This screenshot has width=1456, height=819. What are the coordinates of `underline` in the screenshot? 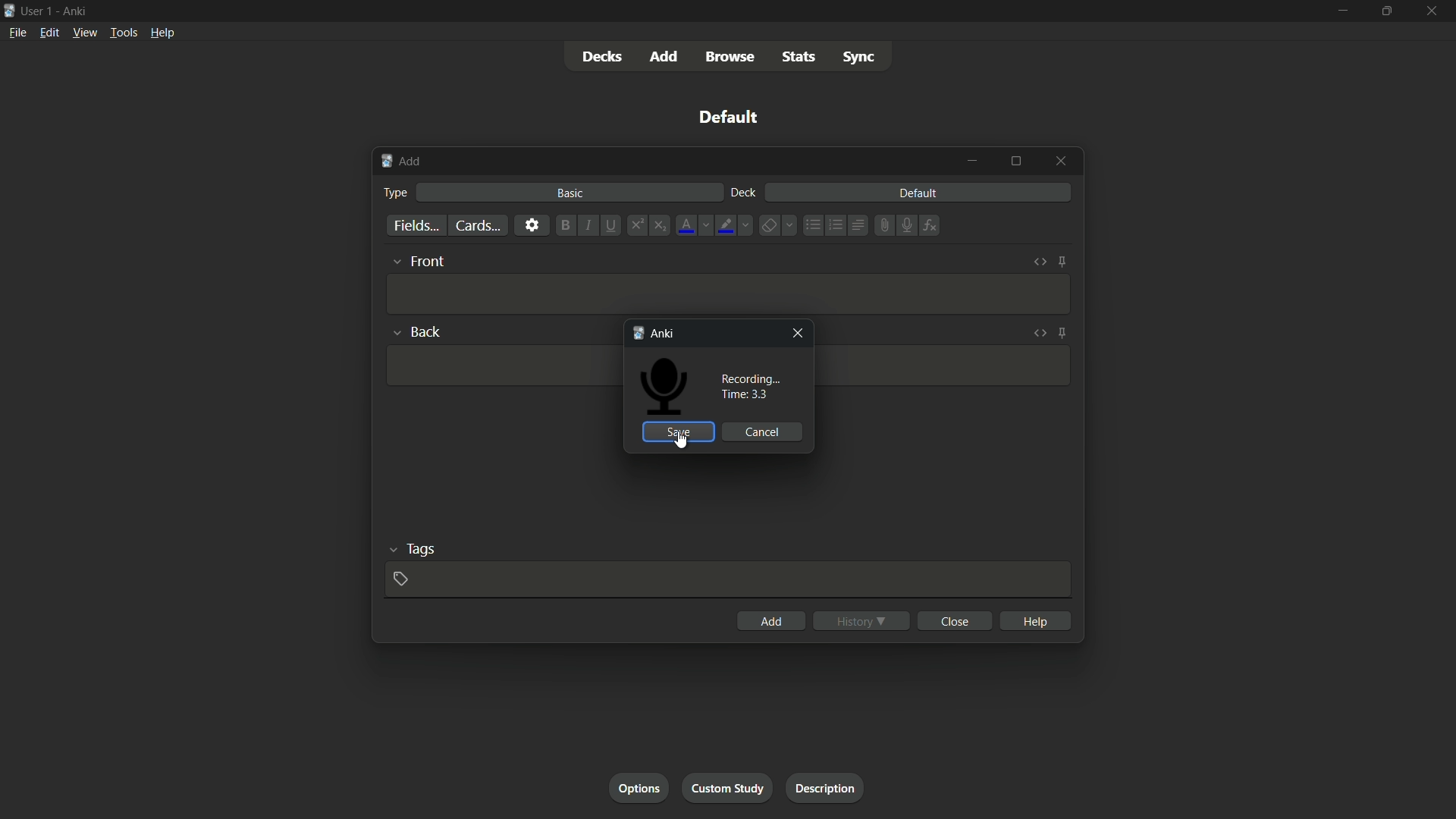 It's located at (613, 225).